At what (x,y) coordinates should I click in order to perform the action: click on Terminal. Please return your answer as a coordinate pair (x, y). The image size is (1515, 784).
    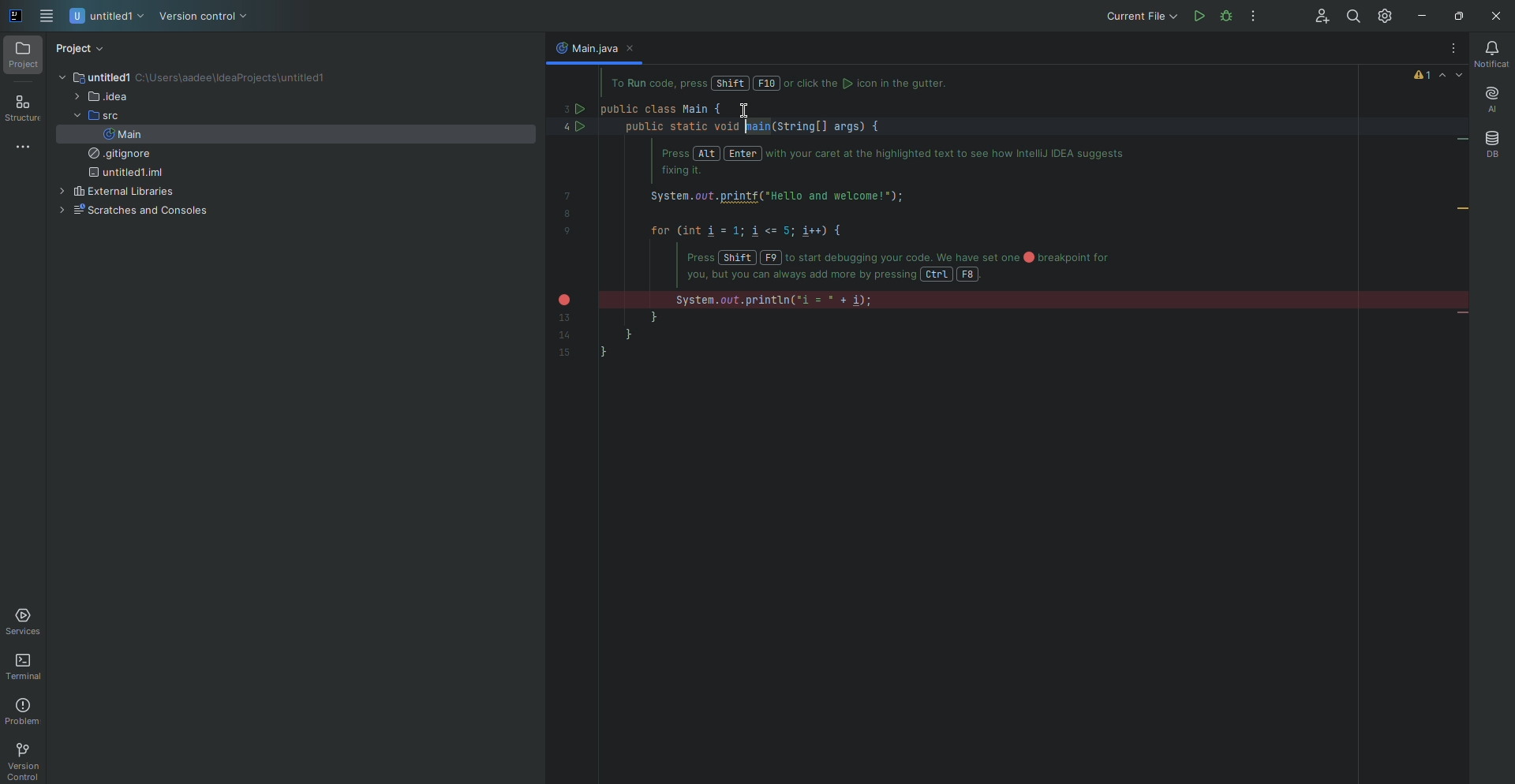
    Looking at the image, I should click on (27, 667).